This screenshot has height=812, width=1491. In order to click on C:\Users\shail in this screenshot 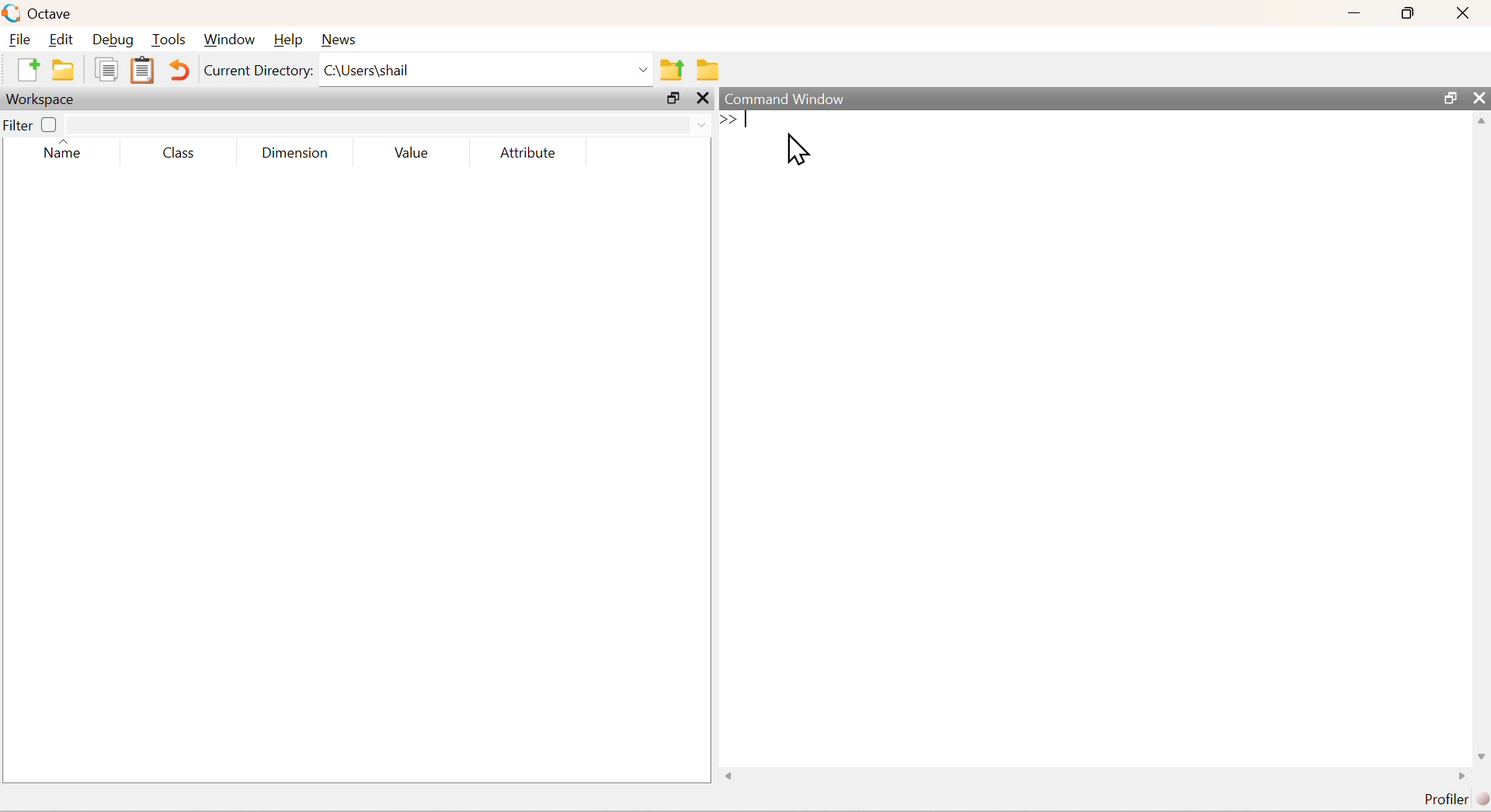, I will do `click(486, 71)`.